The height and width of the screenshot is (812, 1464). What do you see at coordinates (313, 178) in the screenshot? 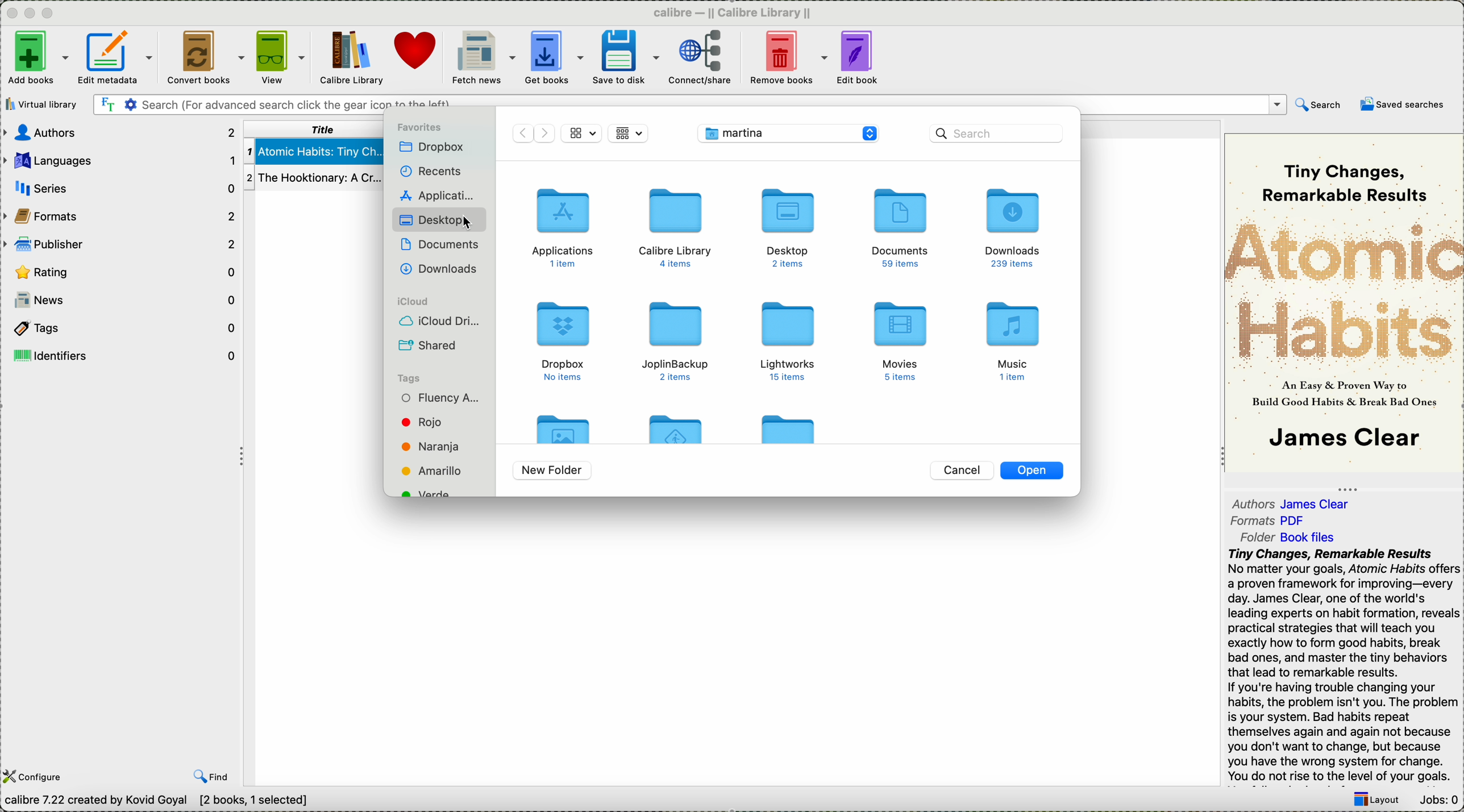
I see `The Hooktionary book details` at bounding box center [313, 178].